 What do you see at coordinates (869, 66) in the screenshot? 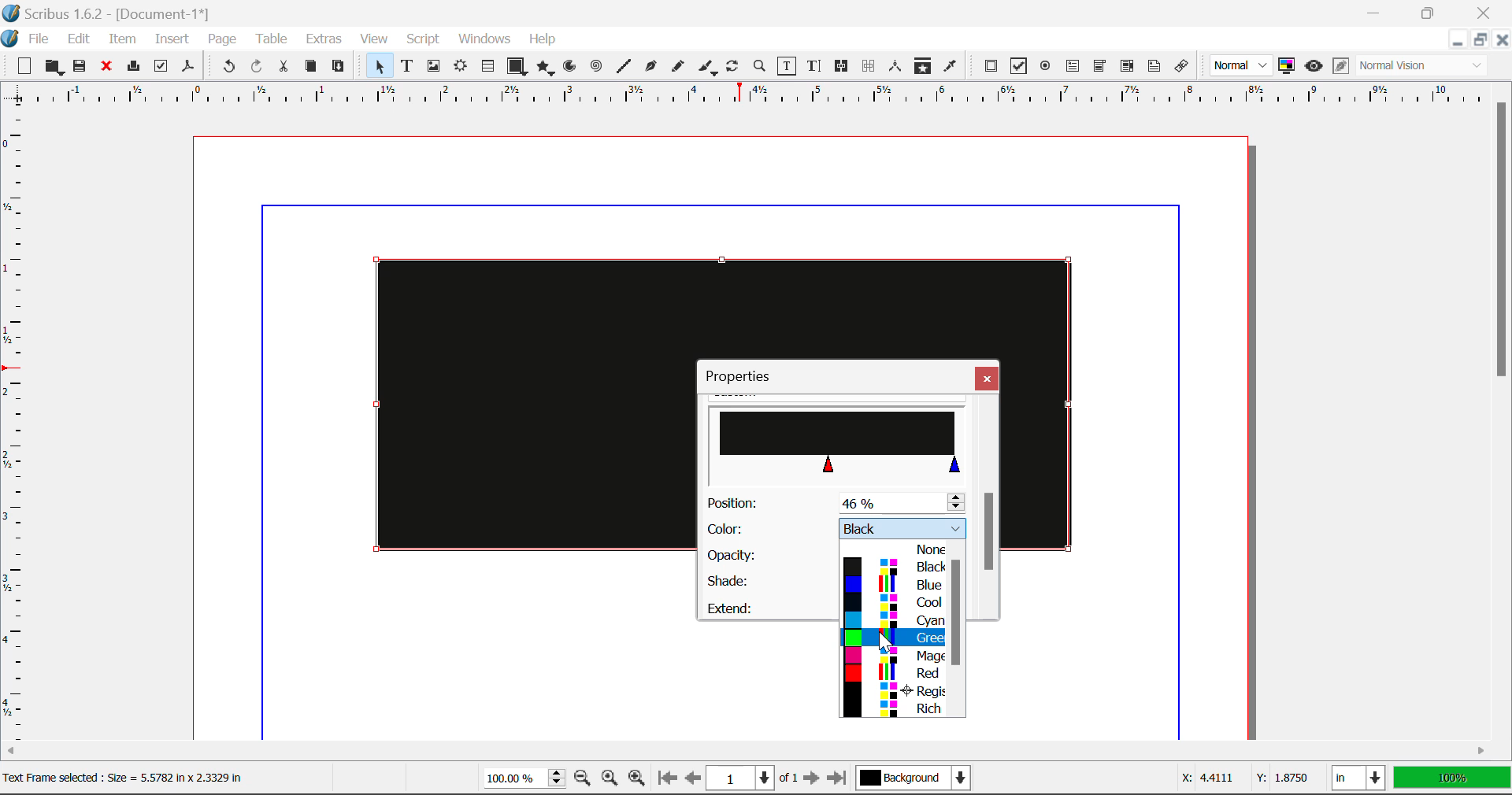
I see `Delink Frames` at bounding box center [869, 66].